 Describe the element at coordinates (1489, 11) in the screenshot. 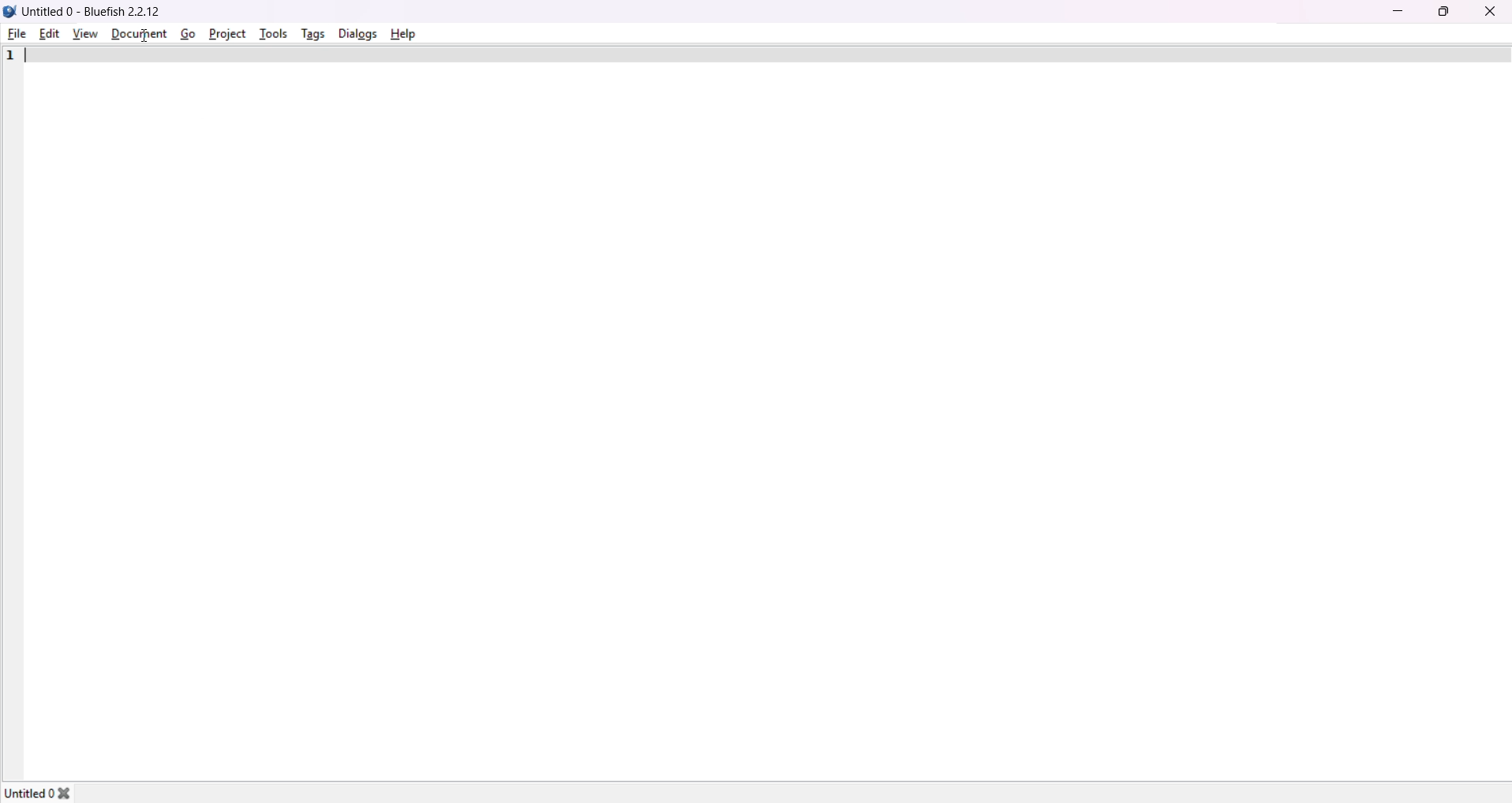

I see `close` at that location.